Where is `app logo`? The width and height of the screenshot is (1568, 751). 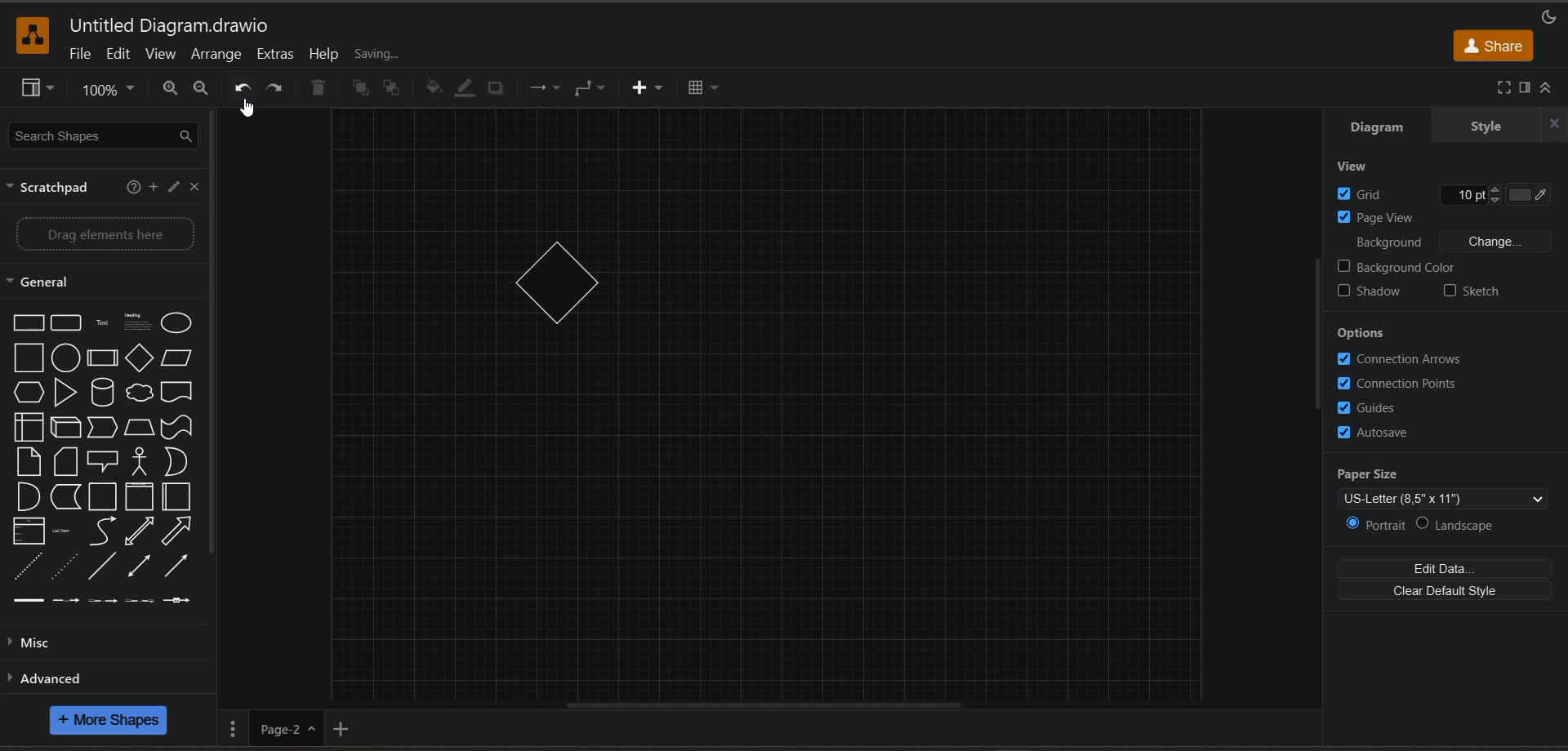
app logo is located at coordinates (37, 38).